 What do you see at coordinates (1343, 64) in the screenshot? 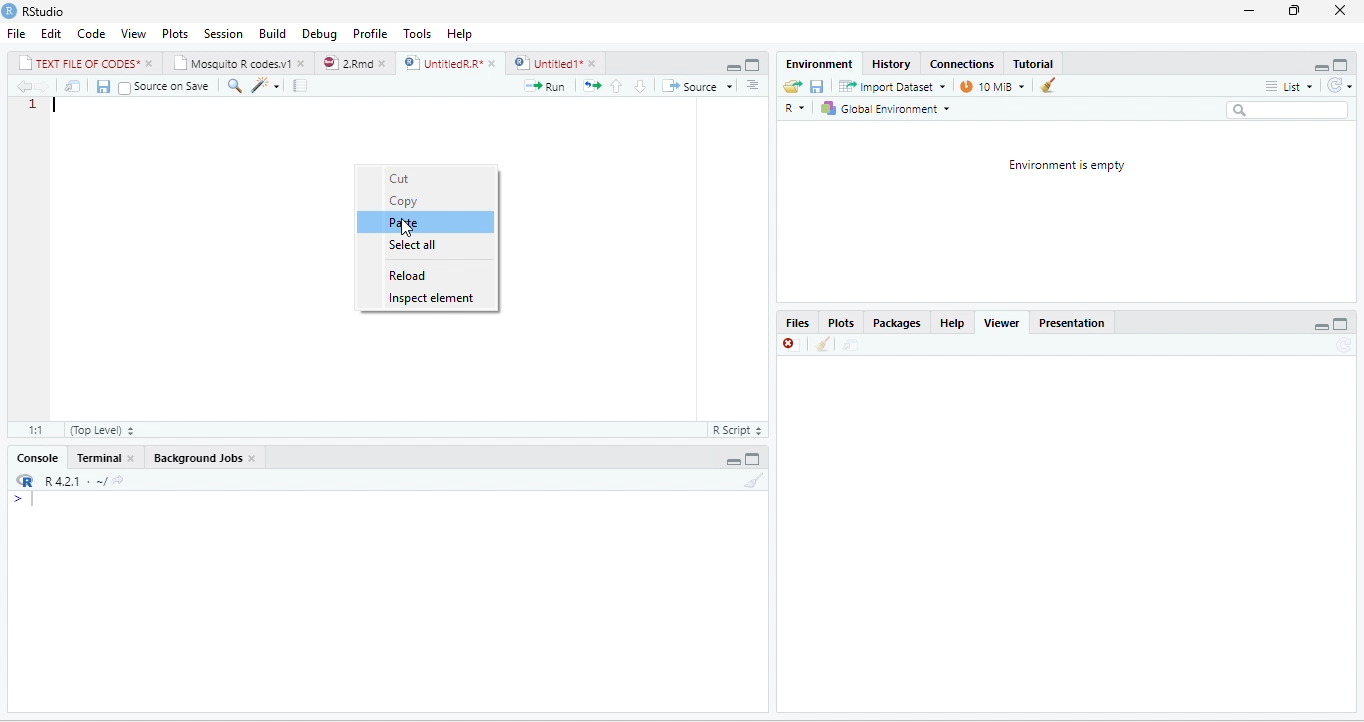
I see `maximize` at bounding box center [1343, 64].